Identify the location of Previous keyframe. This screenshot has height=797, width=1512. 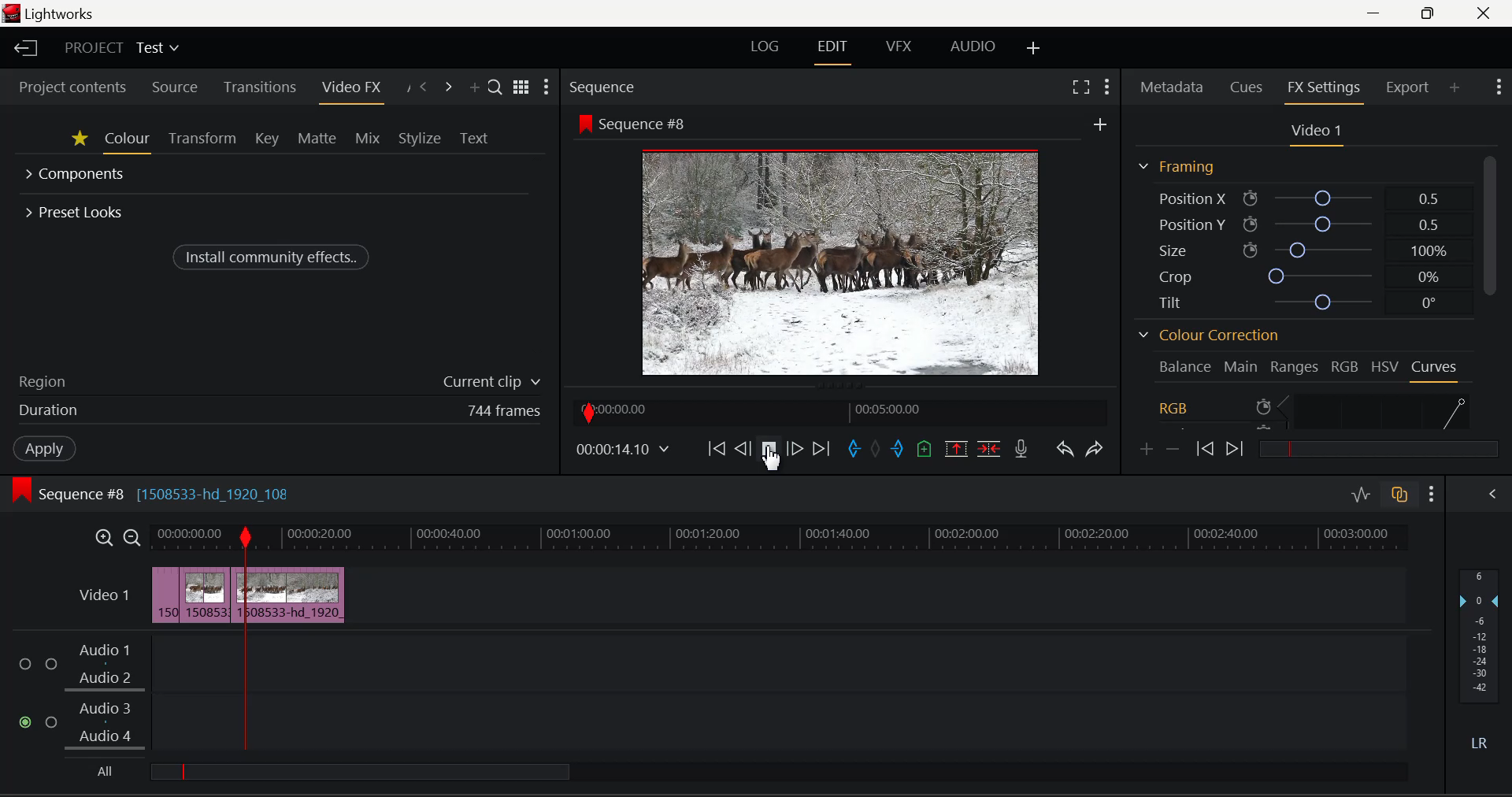
(1205, 448).